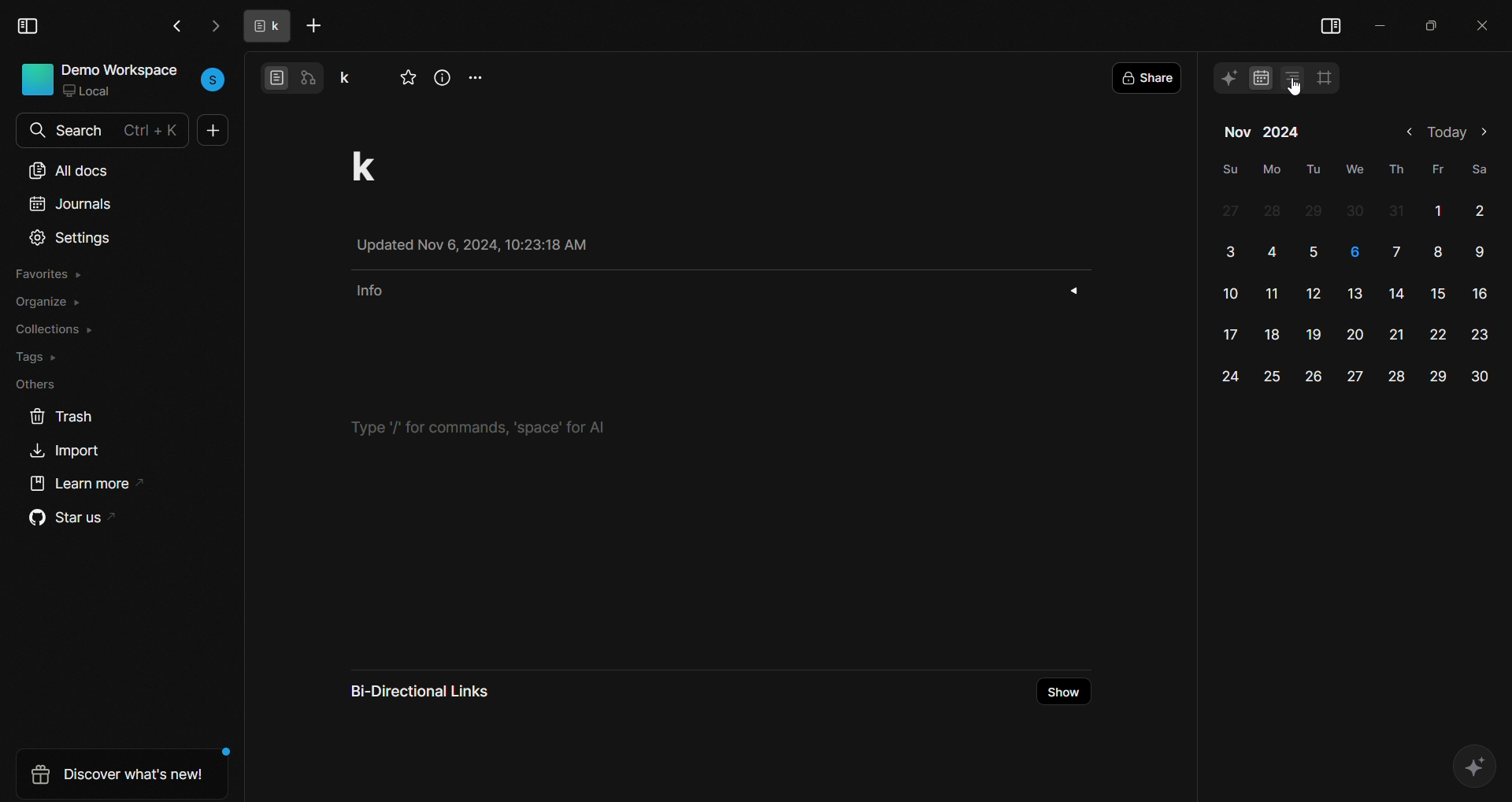 Image resolution: width=1512 pixels, height=802 pixels. Describe the element at coordinates (262, 27) in the screenshot. I see `tab name` at that location.